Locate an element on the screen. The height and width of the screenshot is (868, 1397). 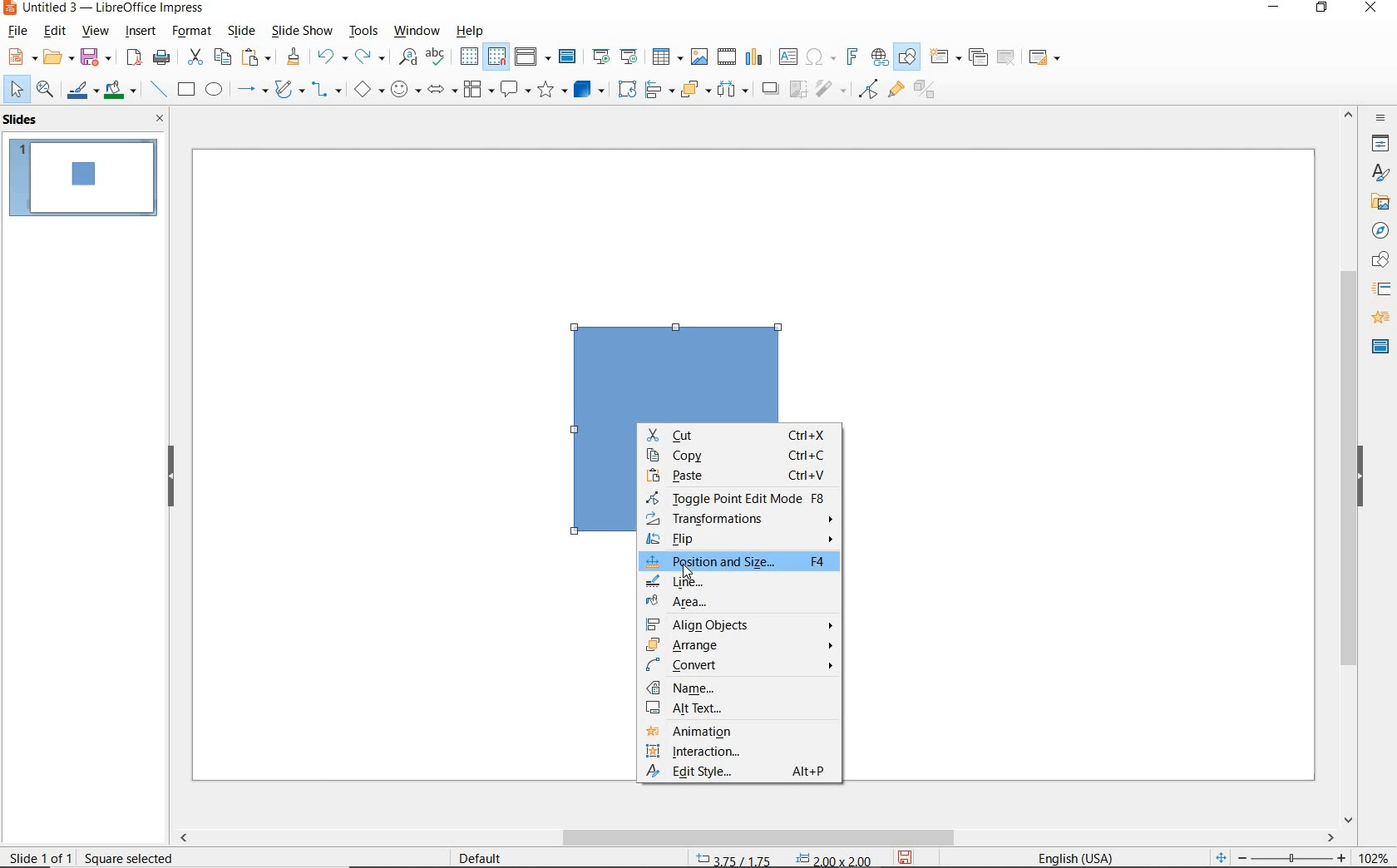
rectangle is located at coordinates (186, 89).